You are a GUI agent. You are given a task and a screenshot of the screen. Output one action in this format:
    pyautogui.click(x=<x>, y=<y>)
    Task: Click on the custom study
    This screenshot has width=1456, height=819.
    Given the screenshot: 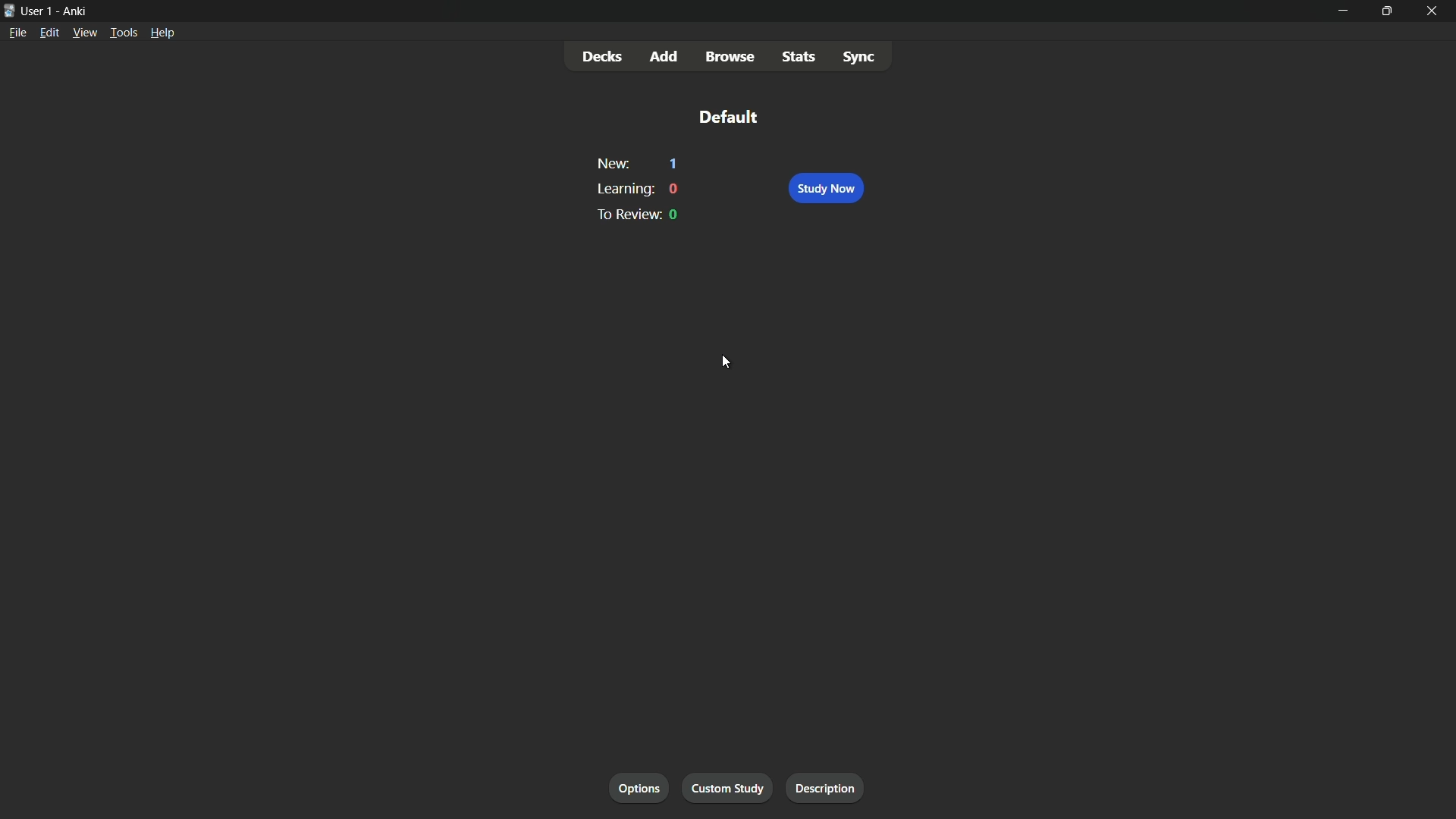 What is the action you would take?
    pyautogui.click(x=730, y=786)
    